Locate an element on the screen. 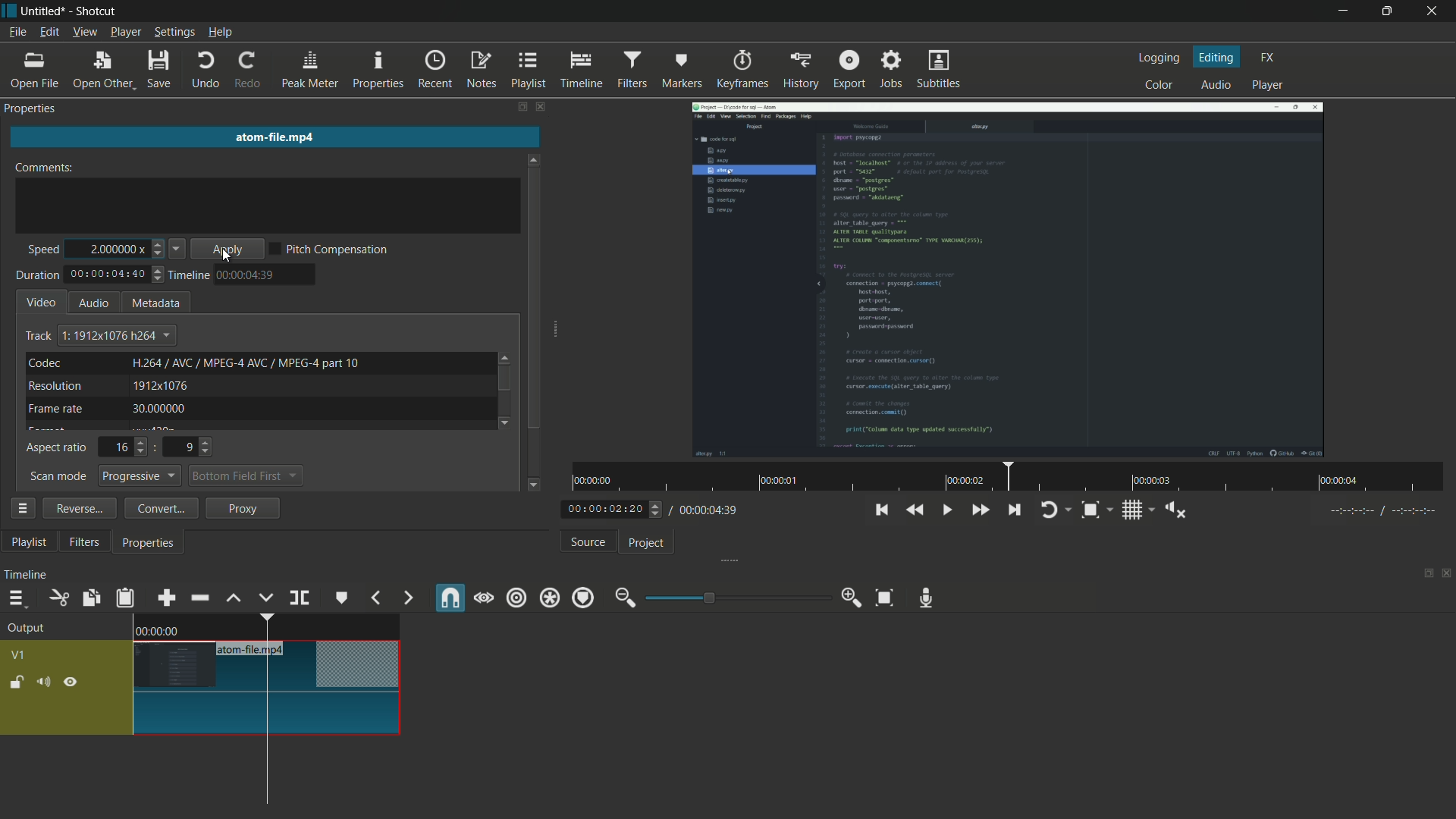 The image size is (1456, 819). playlist is located at coordinates (28, 542).